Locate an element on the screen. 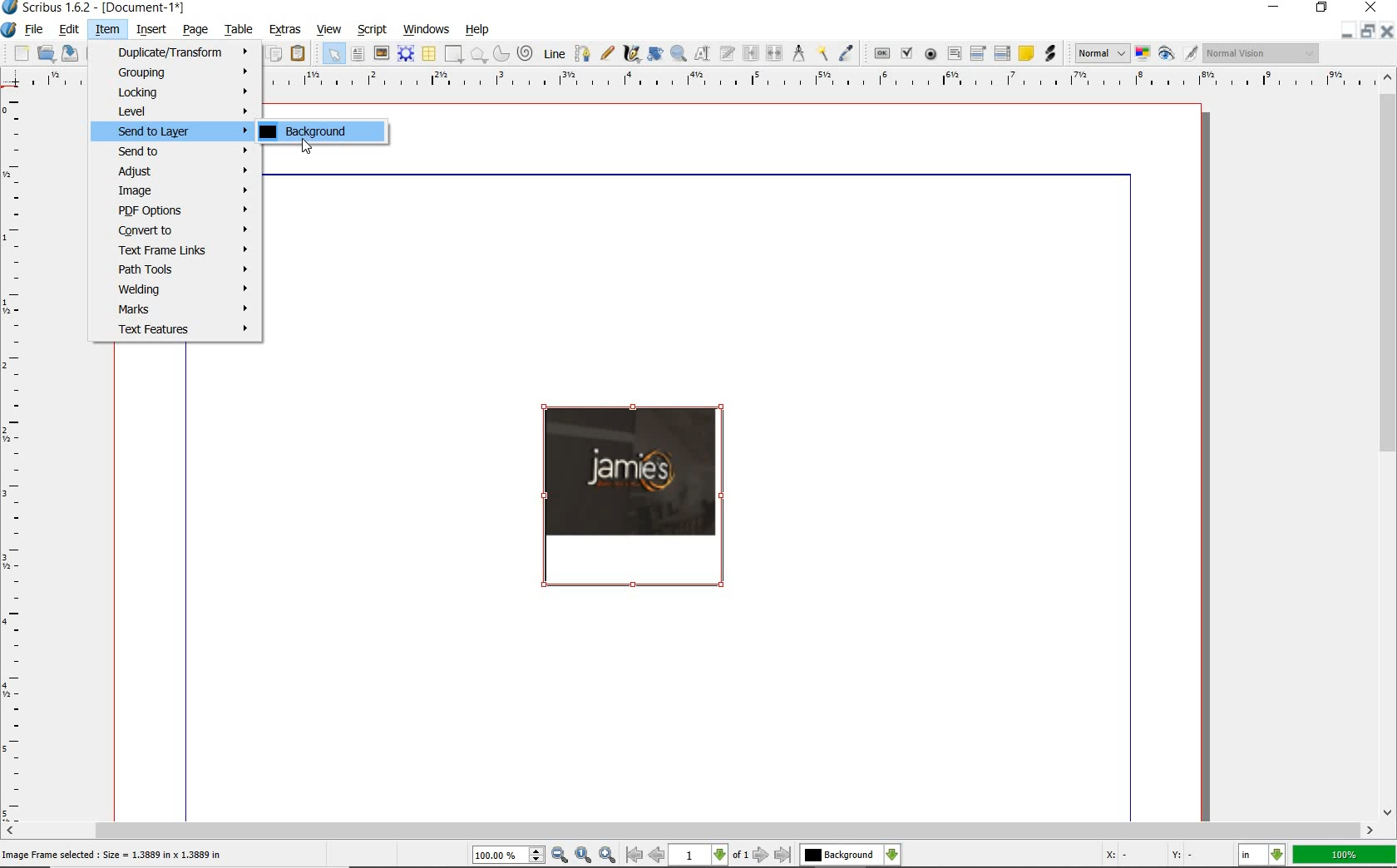 This screenshot has height=868, width=1397. page is located at coordinates (196, 30).